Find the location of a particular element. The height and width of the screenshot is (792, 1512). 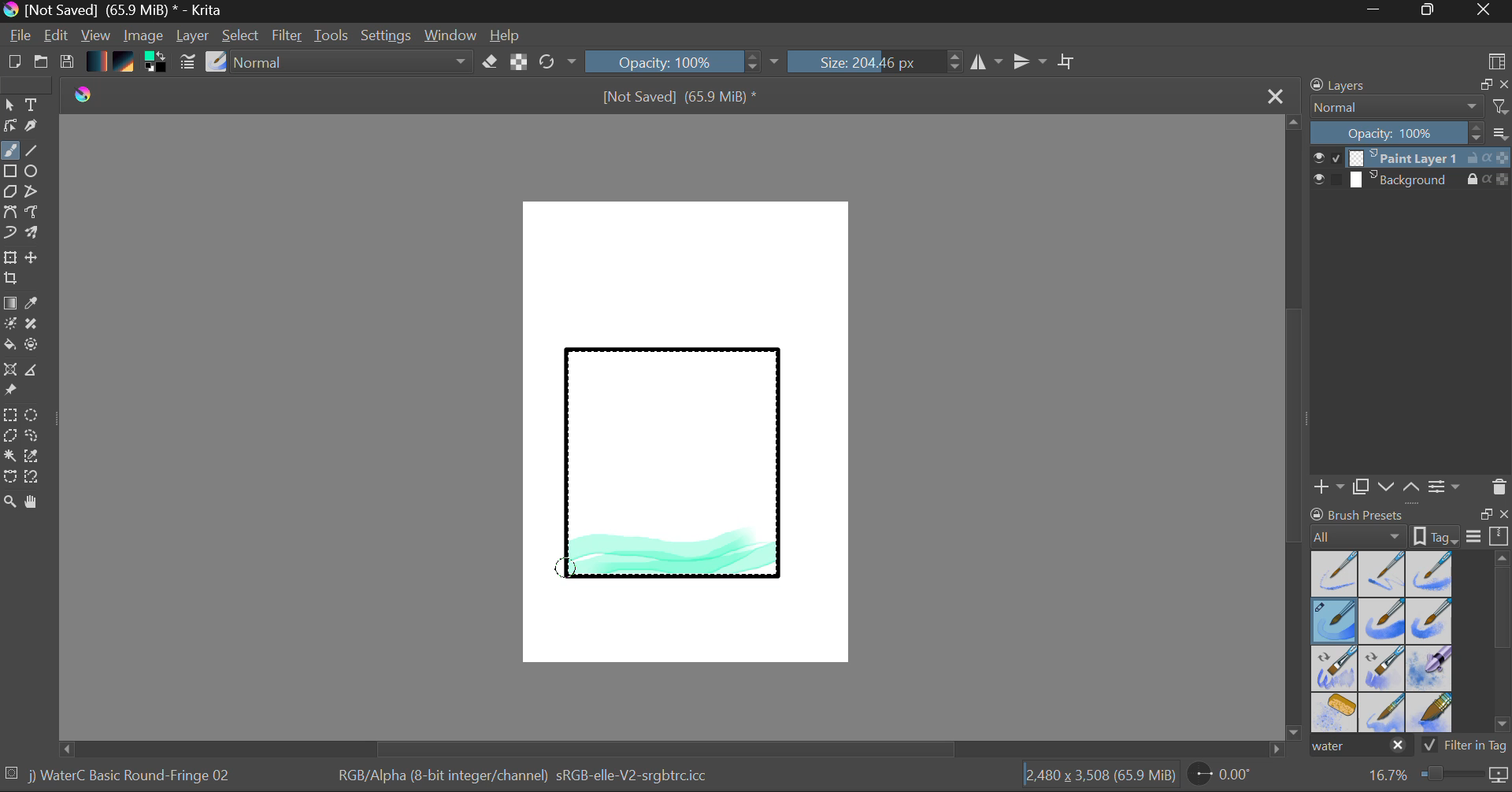

Select is located at coordinates (242, 36).